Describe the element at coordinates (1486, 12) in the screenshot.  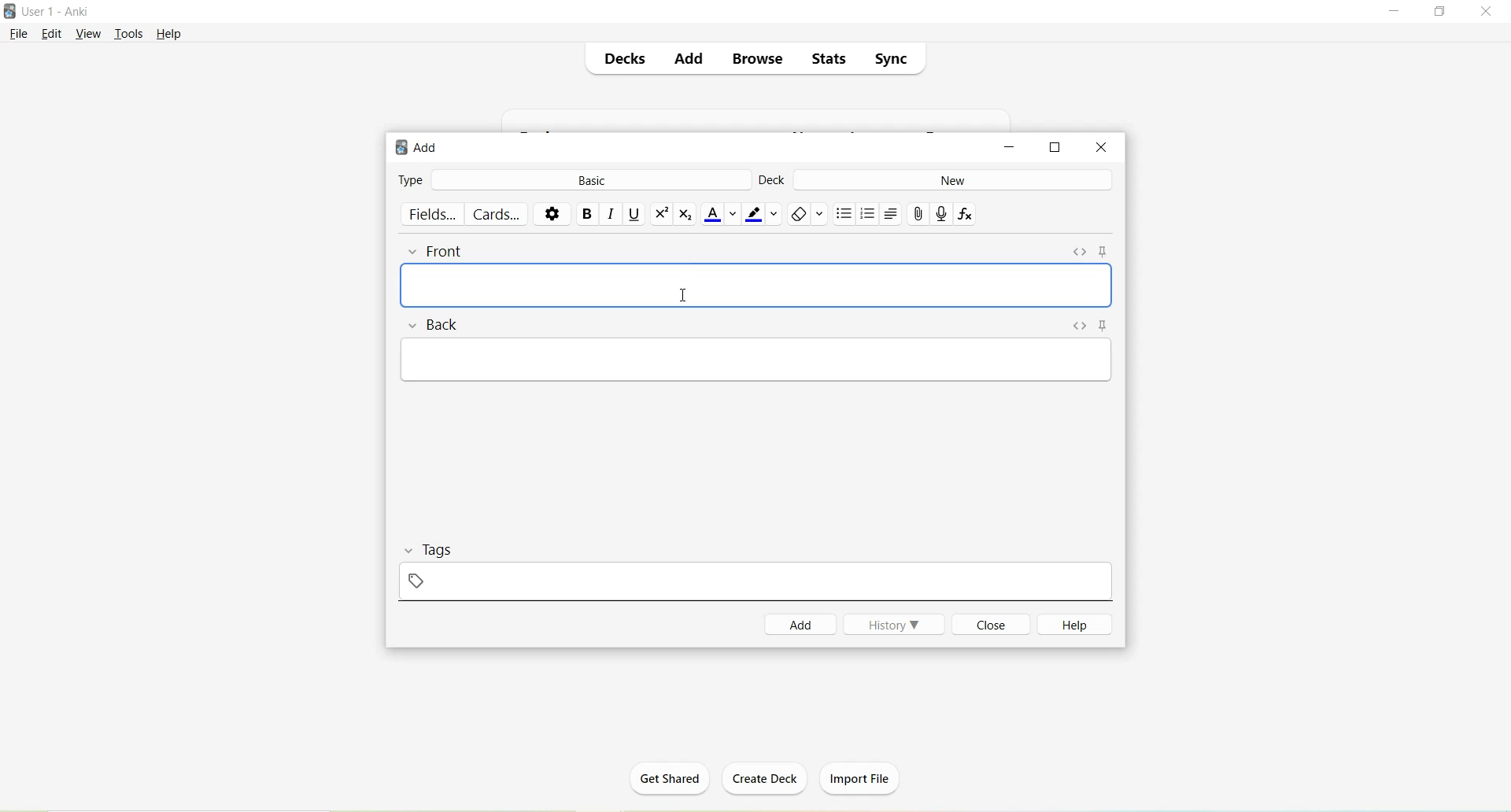
I see `Close` at that location.